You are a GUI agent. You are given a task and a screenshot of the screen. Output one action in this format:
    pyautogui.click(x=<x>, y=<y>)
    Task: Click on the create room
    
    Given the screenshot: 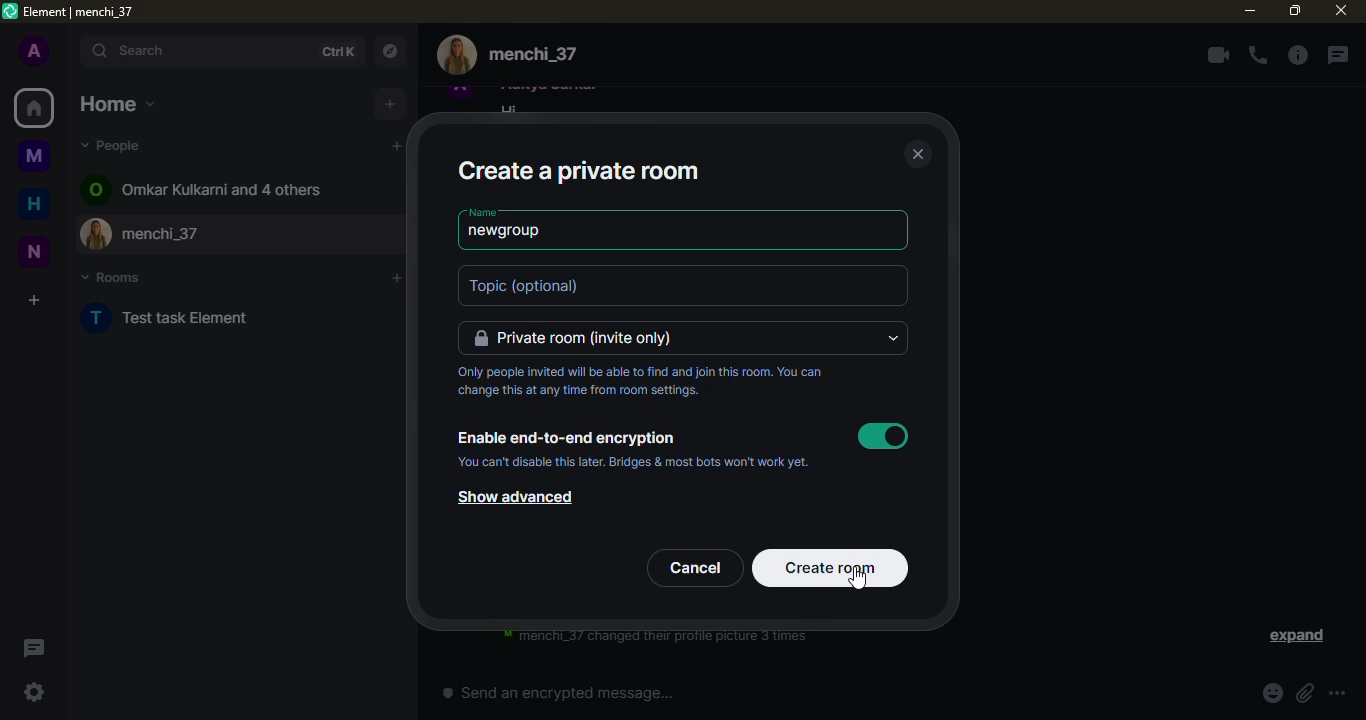 What is the action you would take?
    pyautogui.click(x=831, y=568)
    